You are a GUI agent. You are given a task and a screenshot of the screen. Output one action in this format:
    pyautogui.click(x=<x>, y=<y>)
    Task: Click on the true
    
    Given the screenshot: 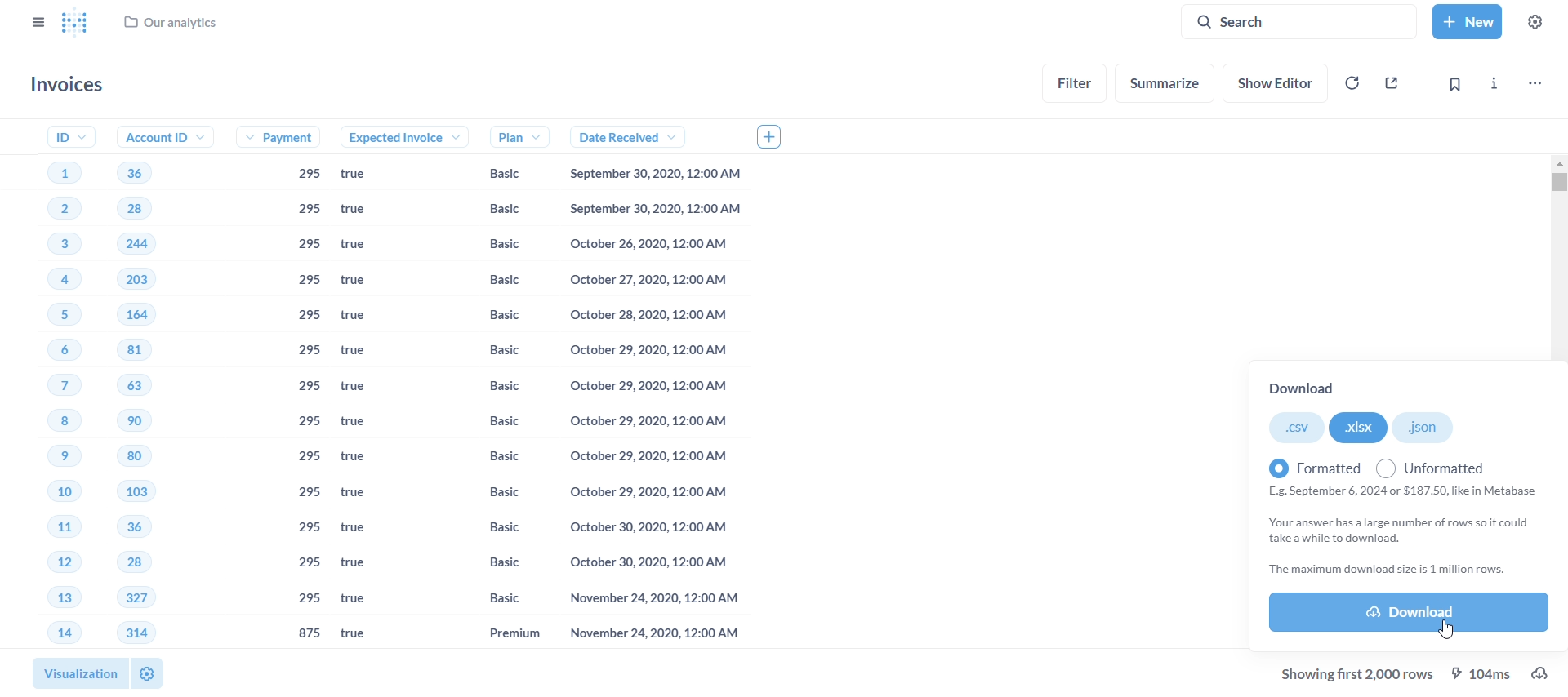 What is the action you would take?
    pyautogui.click(x=363, y=210)
    